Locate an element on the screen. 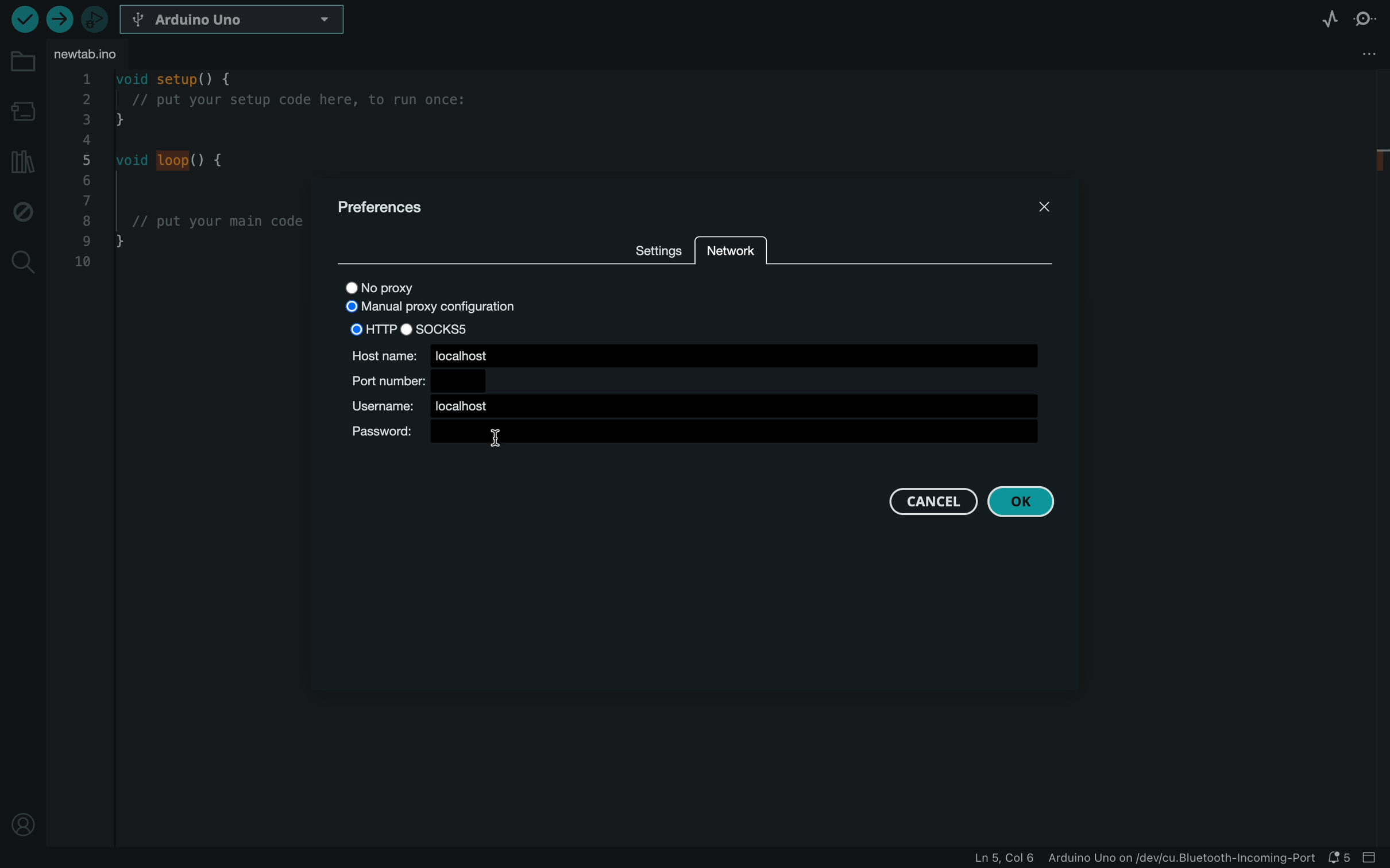 This screenshot has height=868, width=1390. debugger is located at coordinates (96, 18).